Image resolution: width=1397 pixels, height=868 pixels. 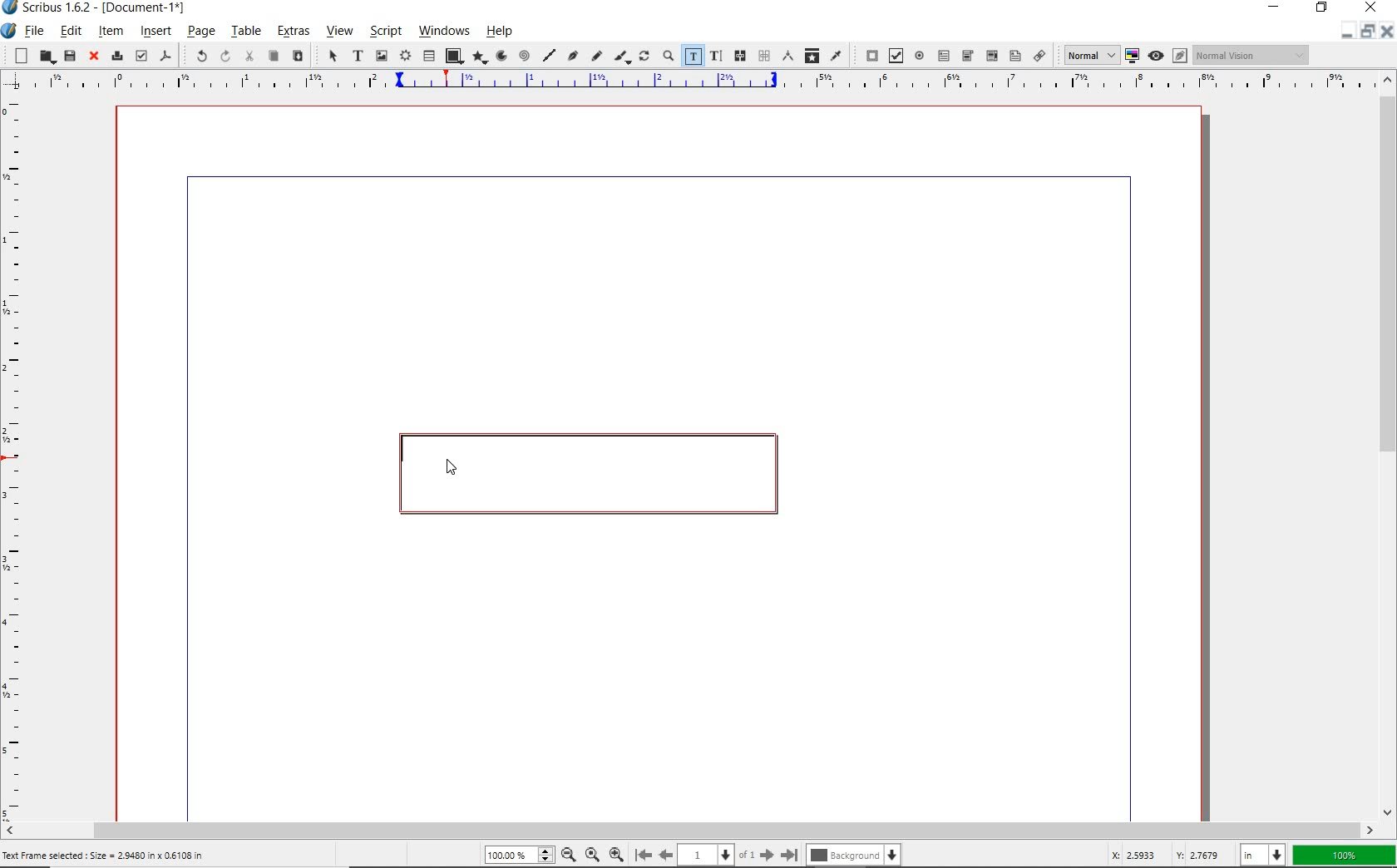 What do you see at coordinates (383, 32) in the screenshot?
I see `script` at bounding box center [383, 32].